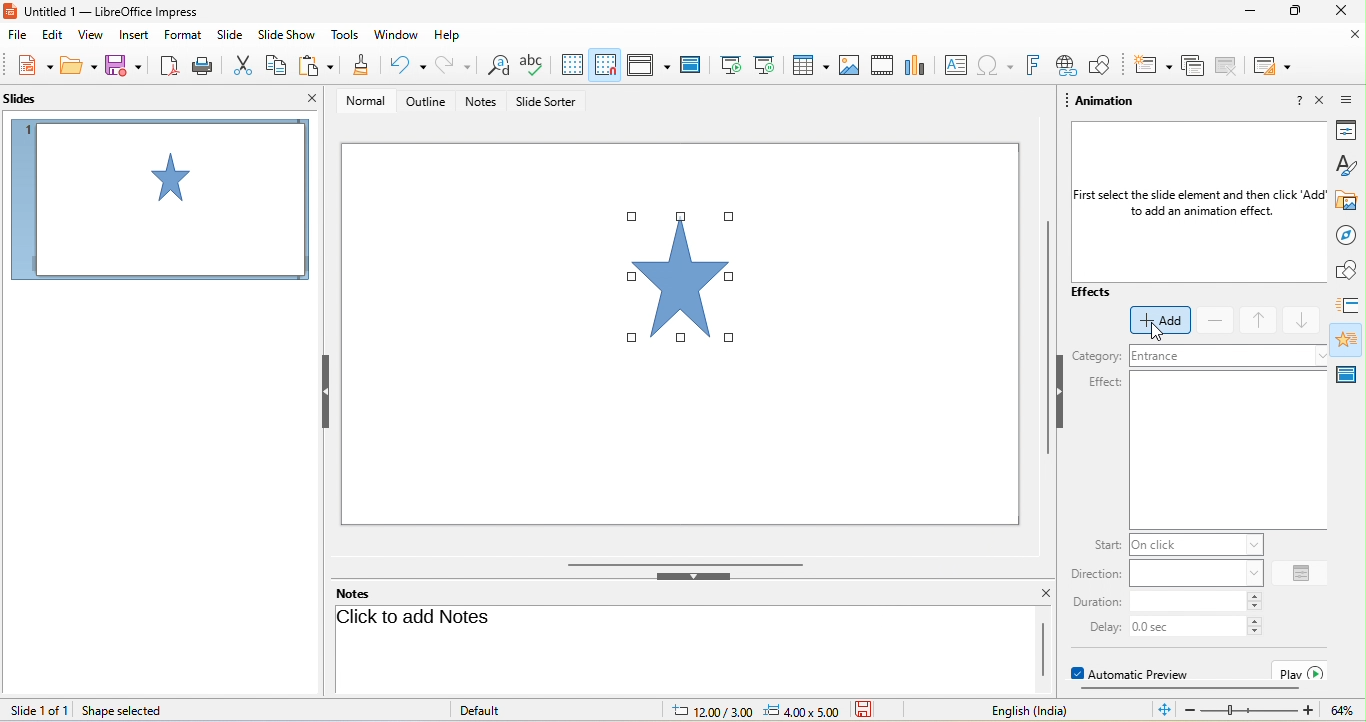  I want to click on default, so click(482, 710).